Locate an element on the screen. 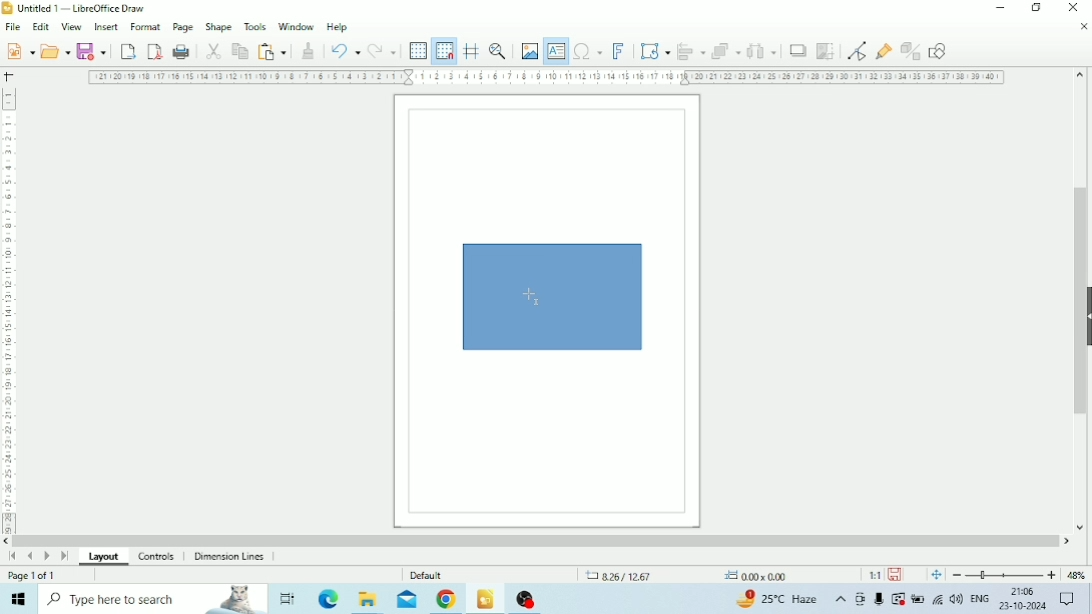 The width and height of the screenshot is (1092, 614). Scroll to previous page is located at coordinates (31, 556).